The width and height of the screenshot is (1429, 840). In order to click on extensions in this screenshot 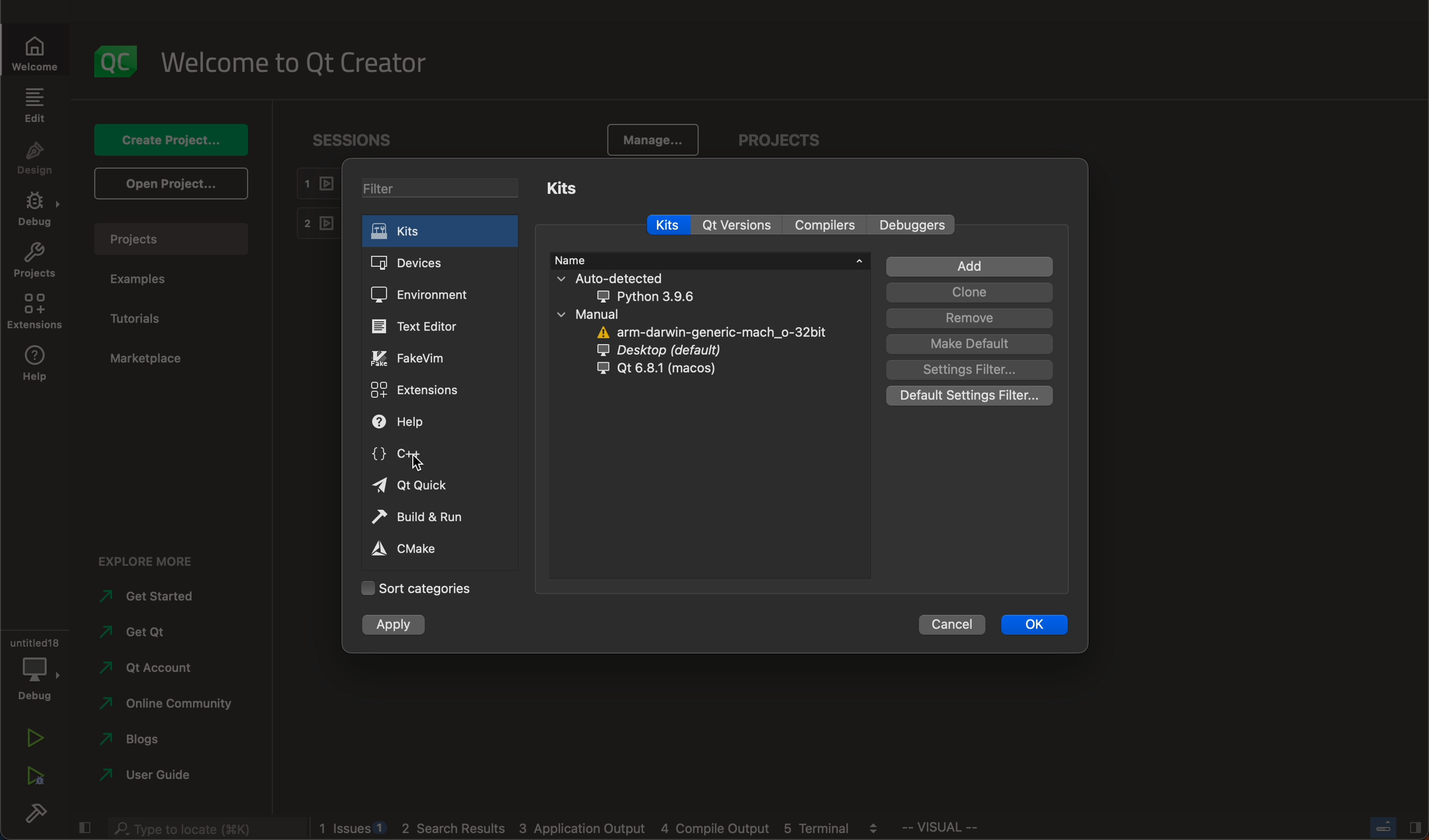, I will do `click(417, 389)`.